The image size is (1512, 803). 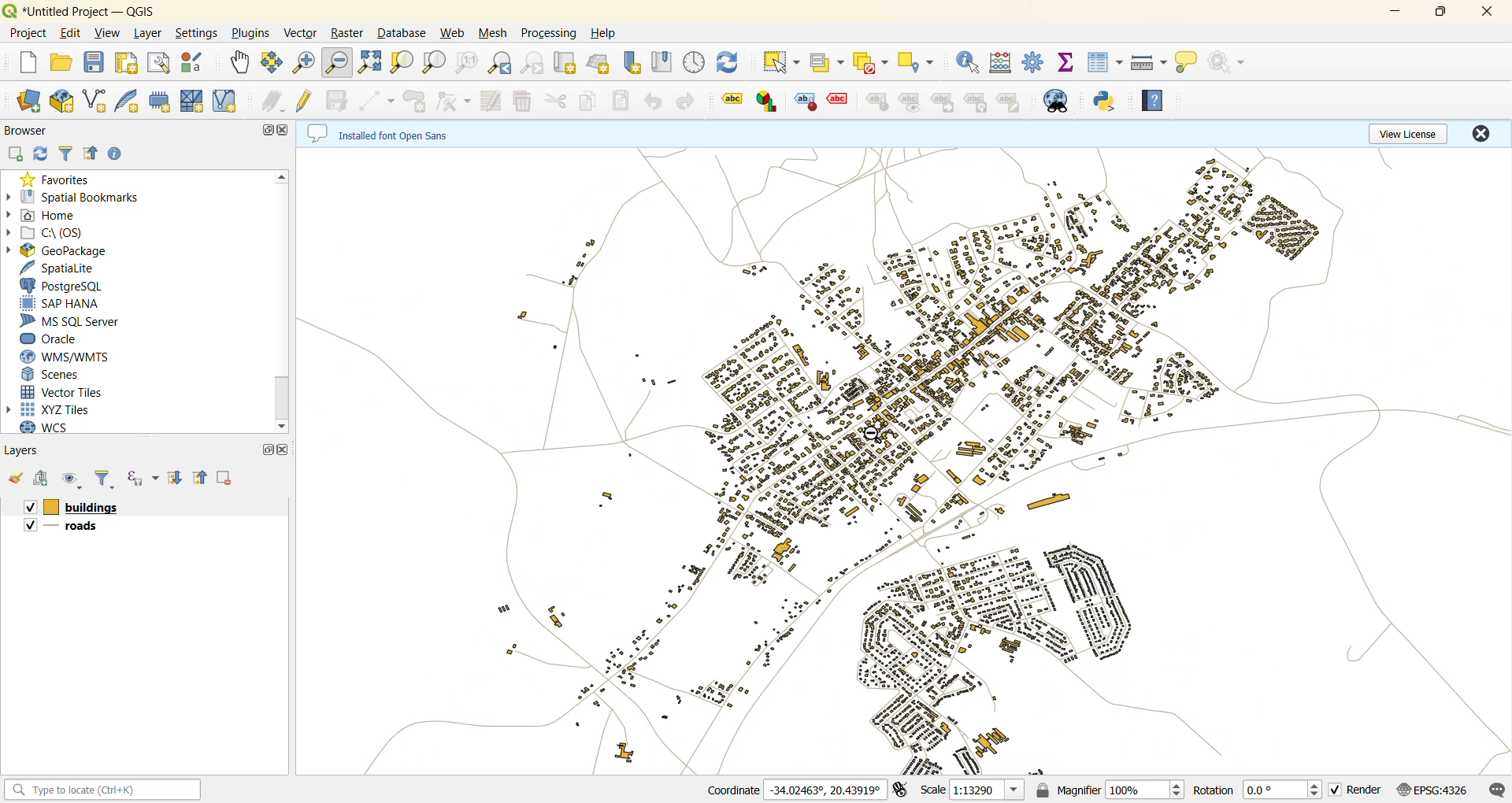 I want to click on close, so click(x=286, y=134).